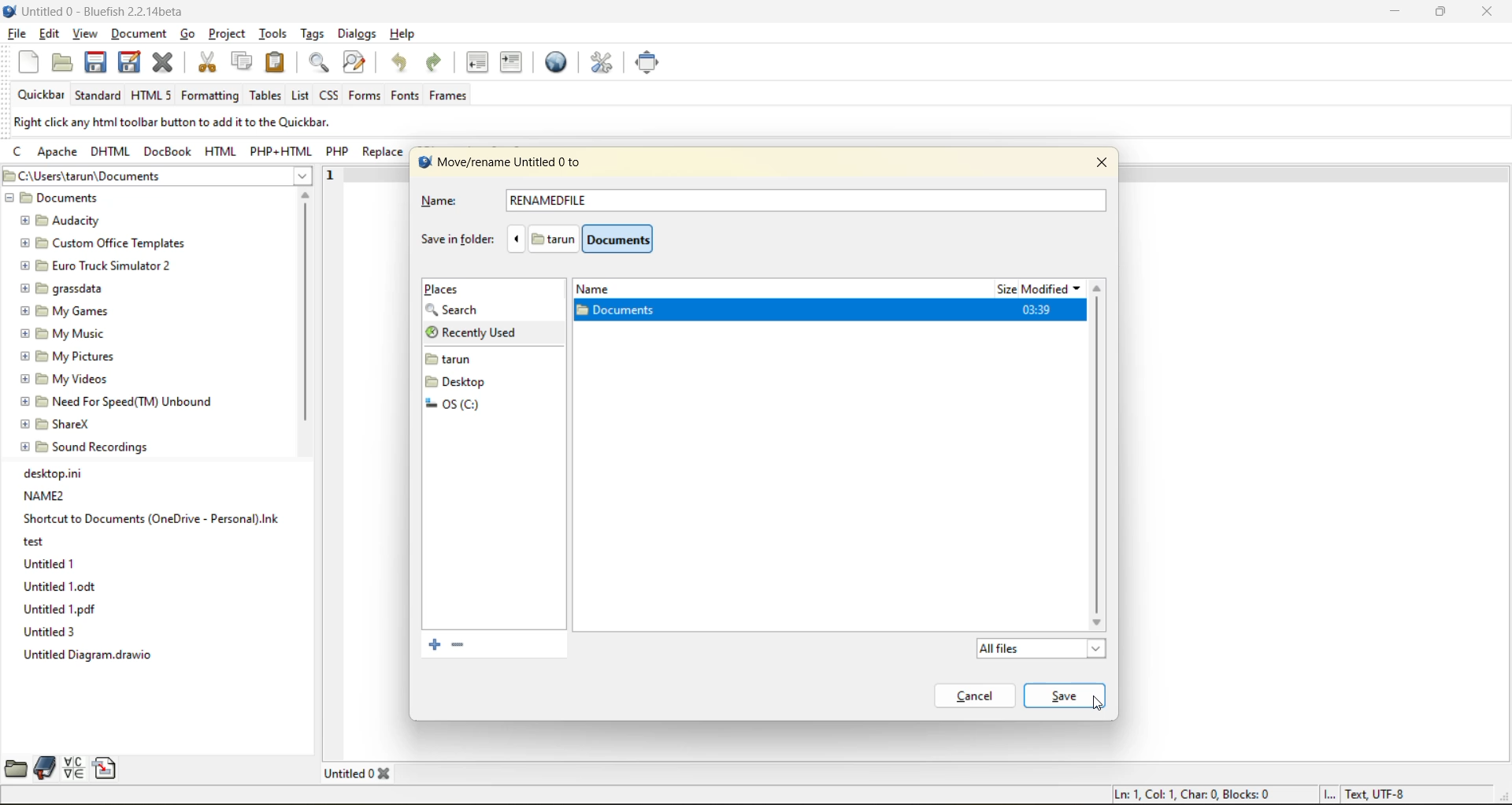 The image size is (1512, 805). What do you see at coordinates (1036, 310) in the screenshot?
I see `modified date and time` at bounding box center [1036, 310].